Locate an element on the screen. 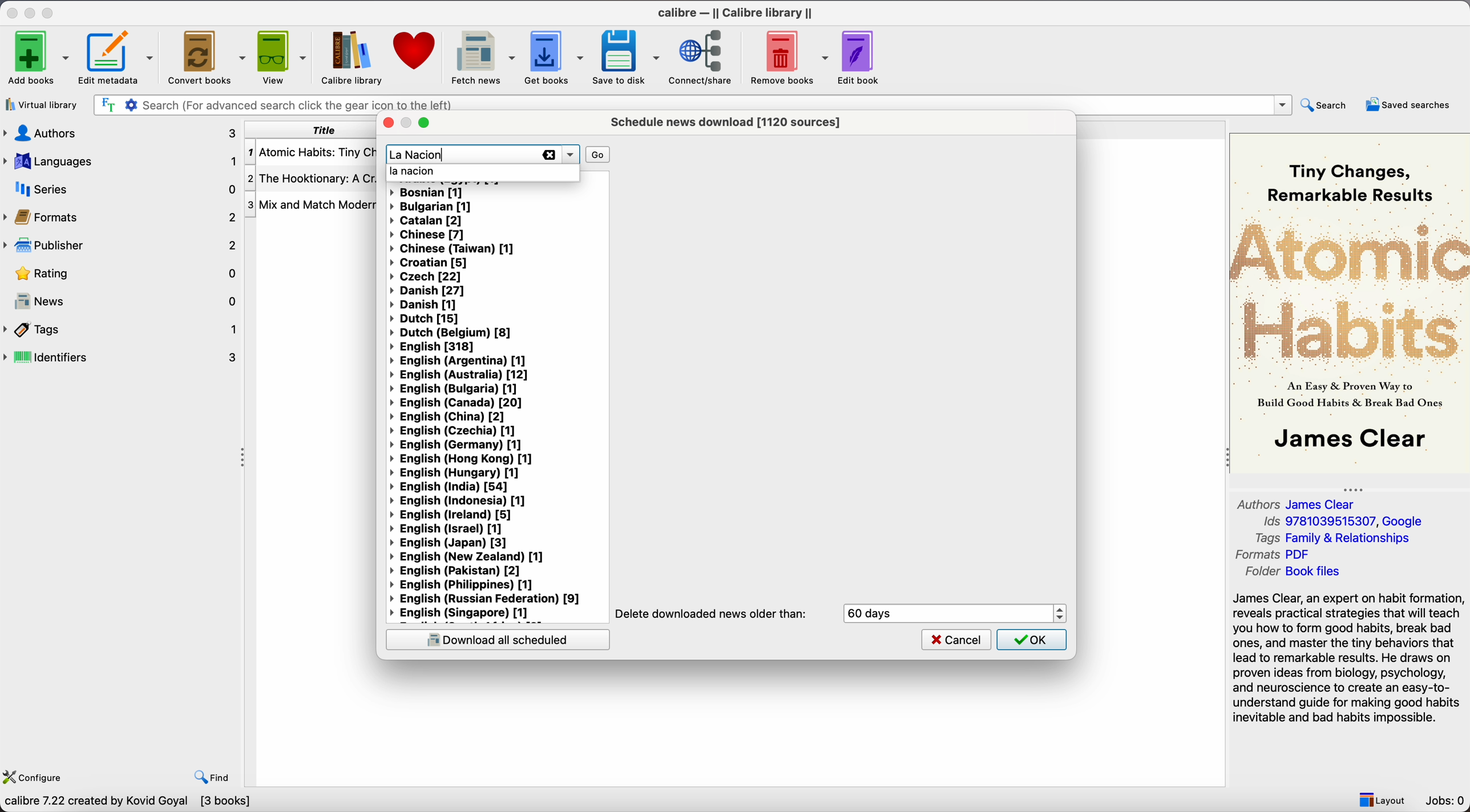 The height and width of the screenshot is (812, 1470). minimize is located at coordinates (32, 11).